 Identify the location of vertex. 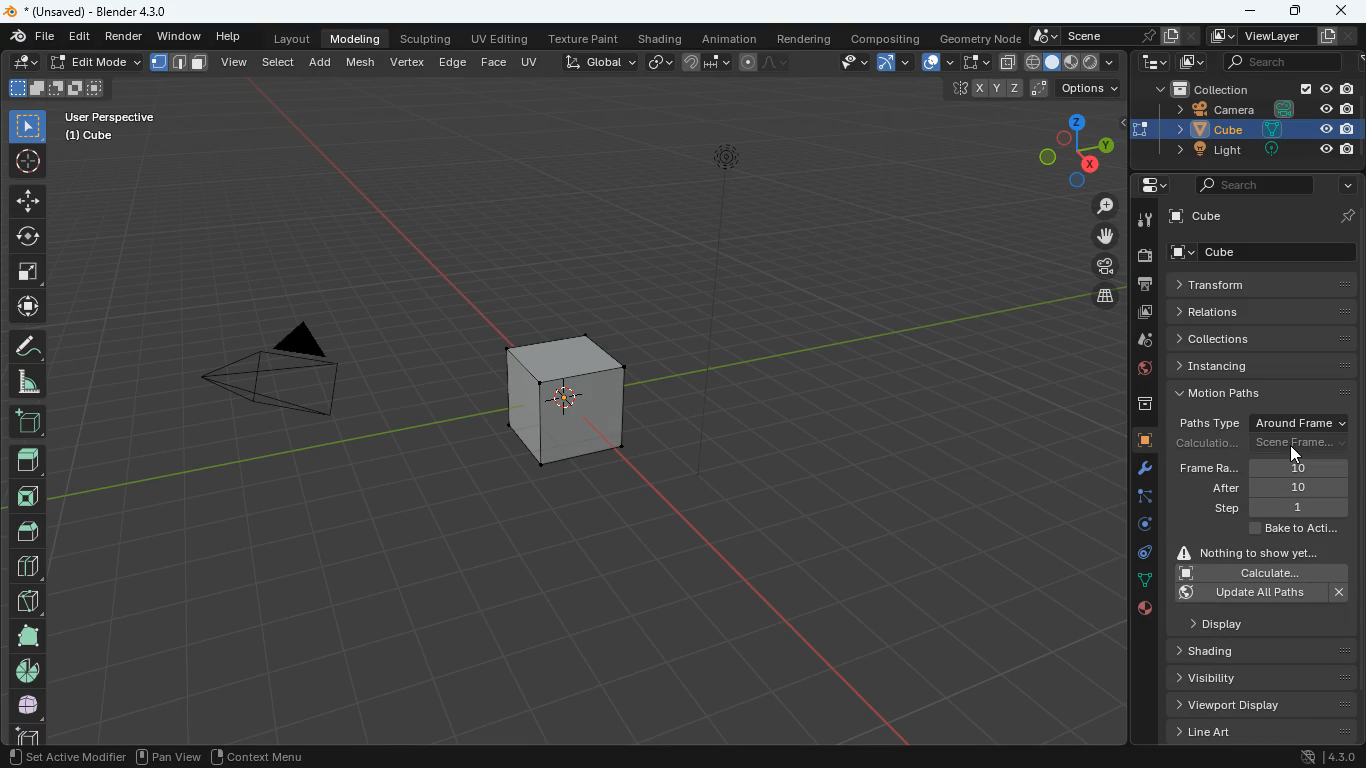
(407, 61).